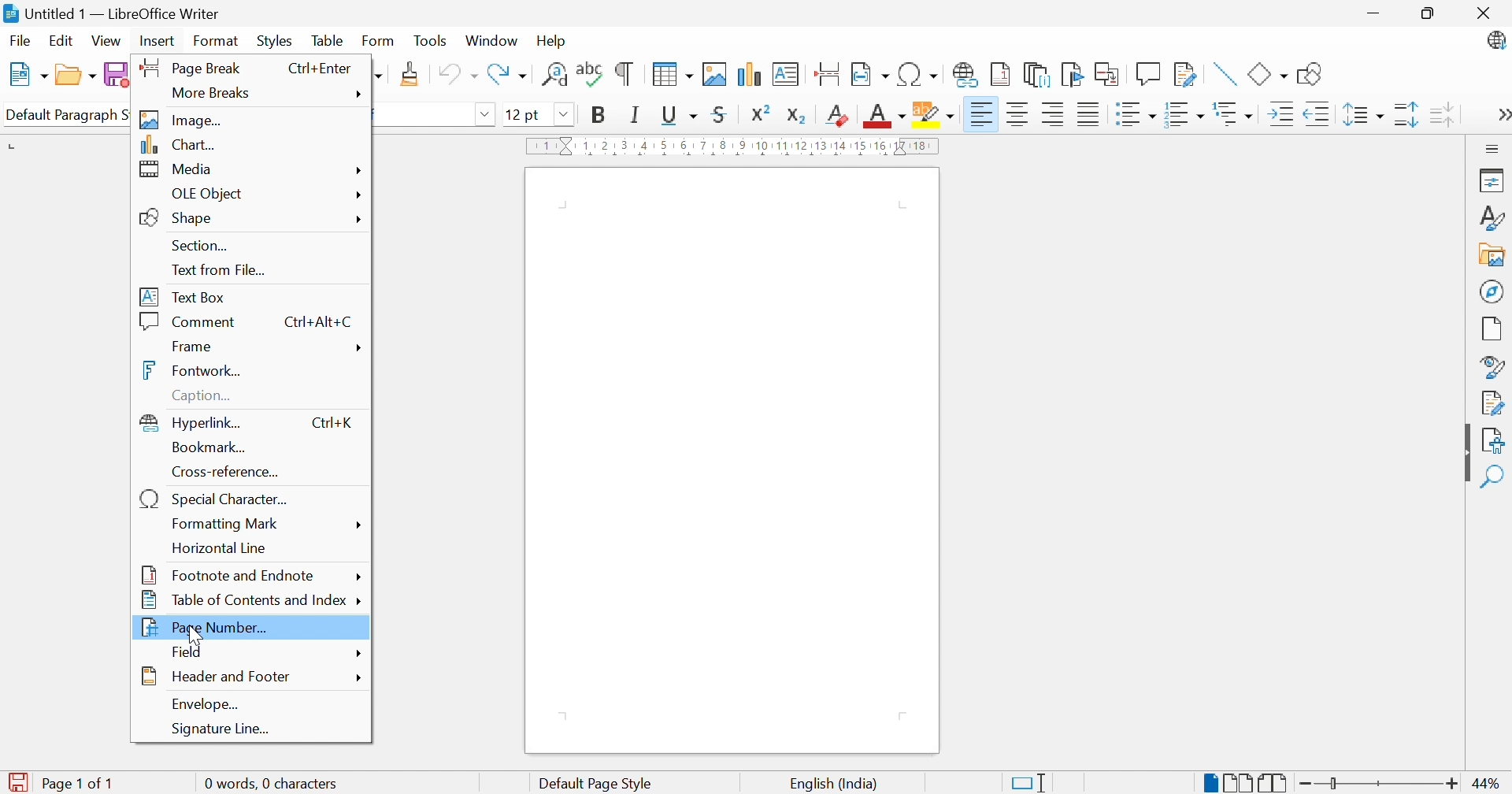  I want to click on Edit, so click(61, 43).